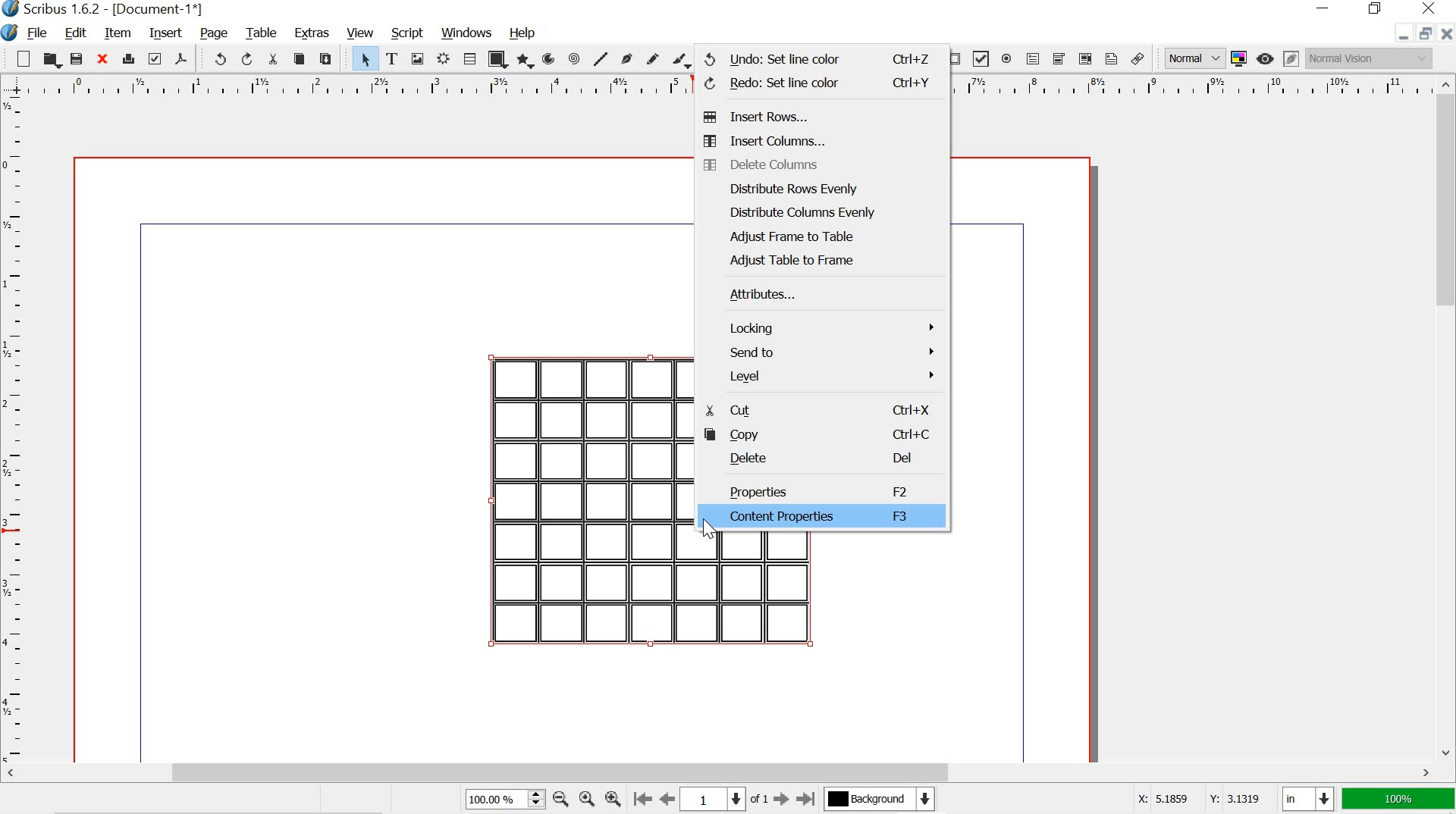 The height and width of the screenshot is (814, 1456). I want to click on 1, so click(702, 800).